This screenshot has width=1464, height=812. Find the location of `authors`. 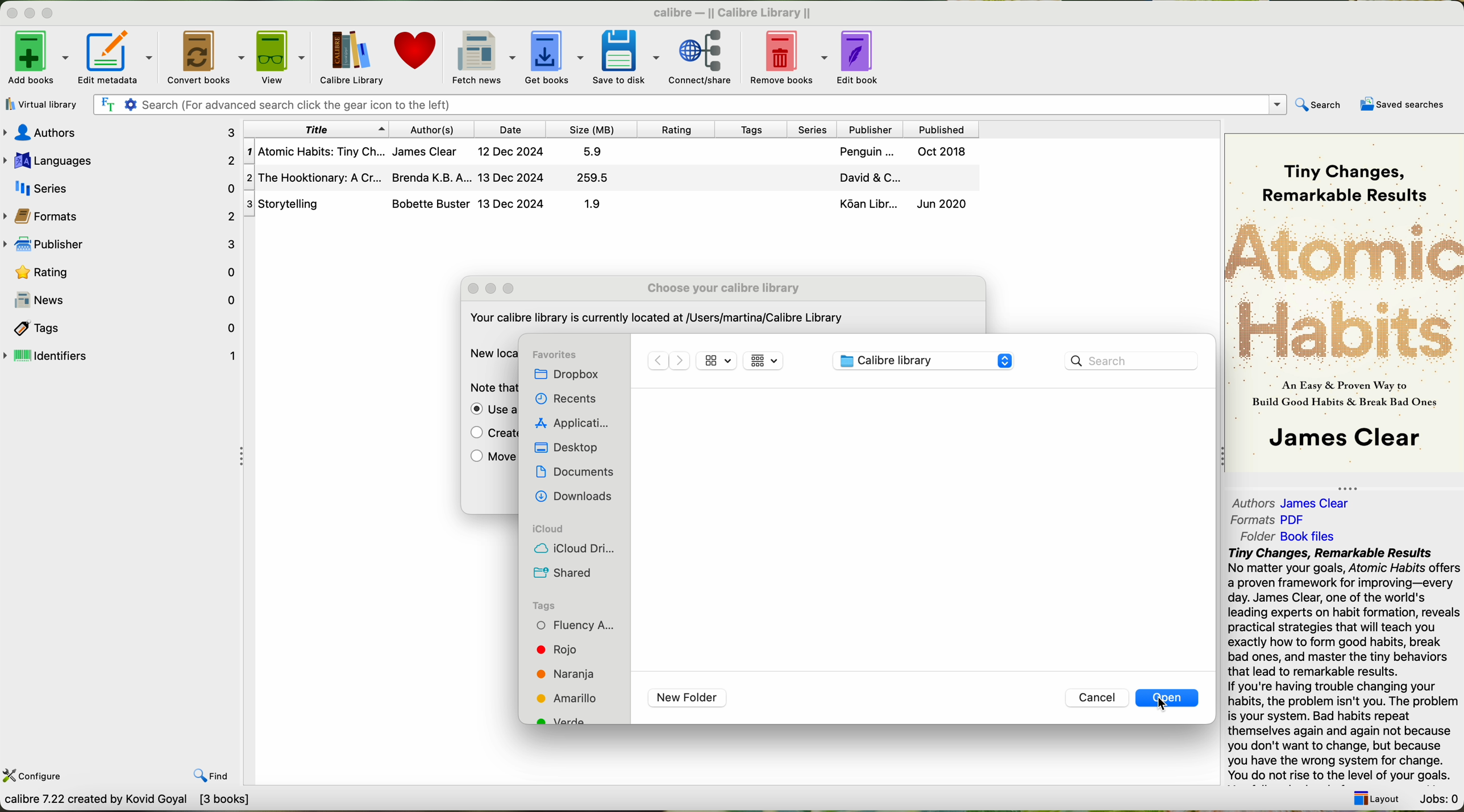

authors is located at coordinates (1249, 501).